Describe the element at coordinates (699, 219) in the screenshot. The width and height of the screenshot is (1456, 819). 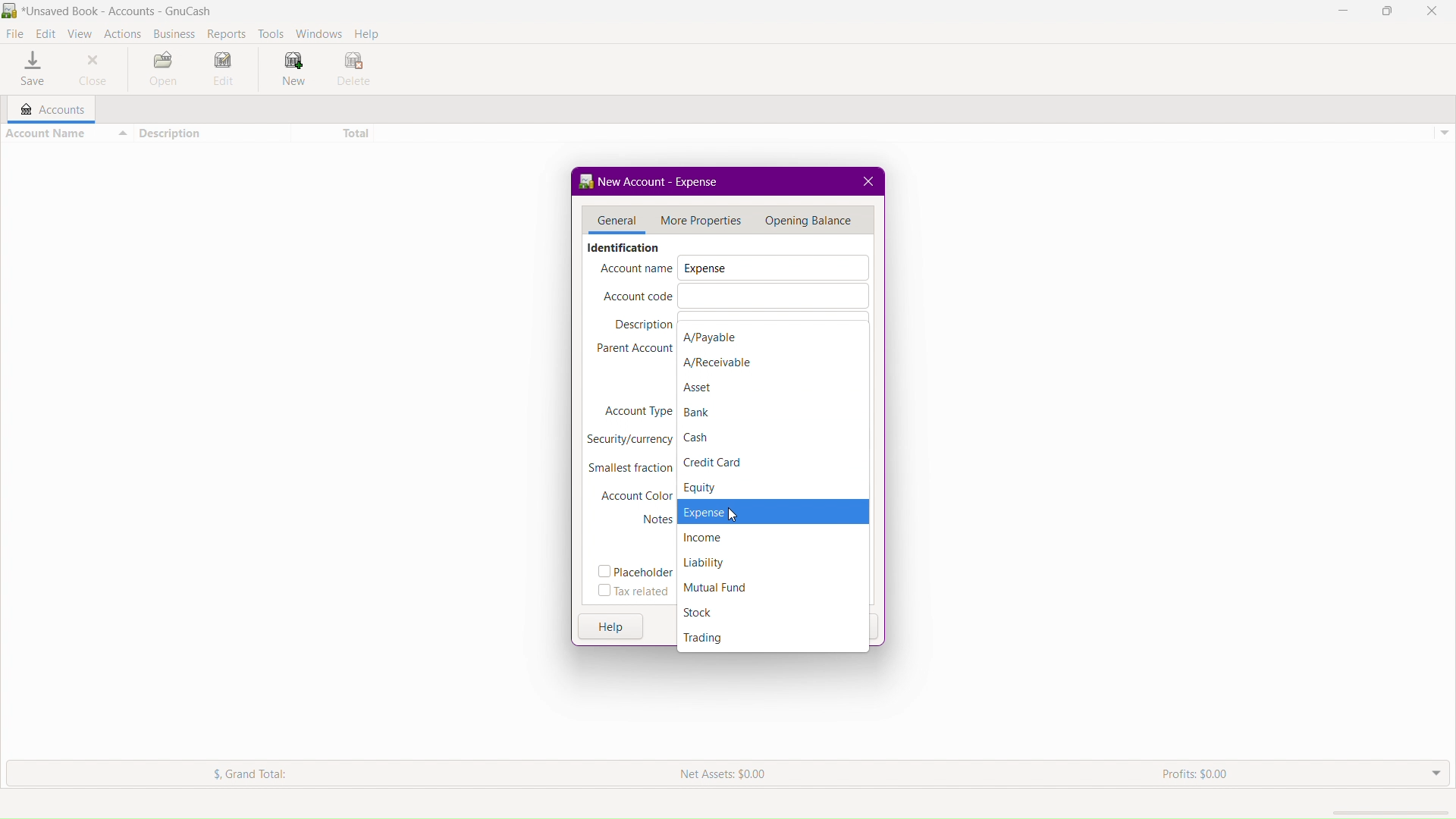
I see `More Properties` at that location.